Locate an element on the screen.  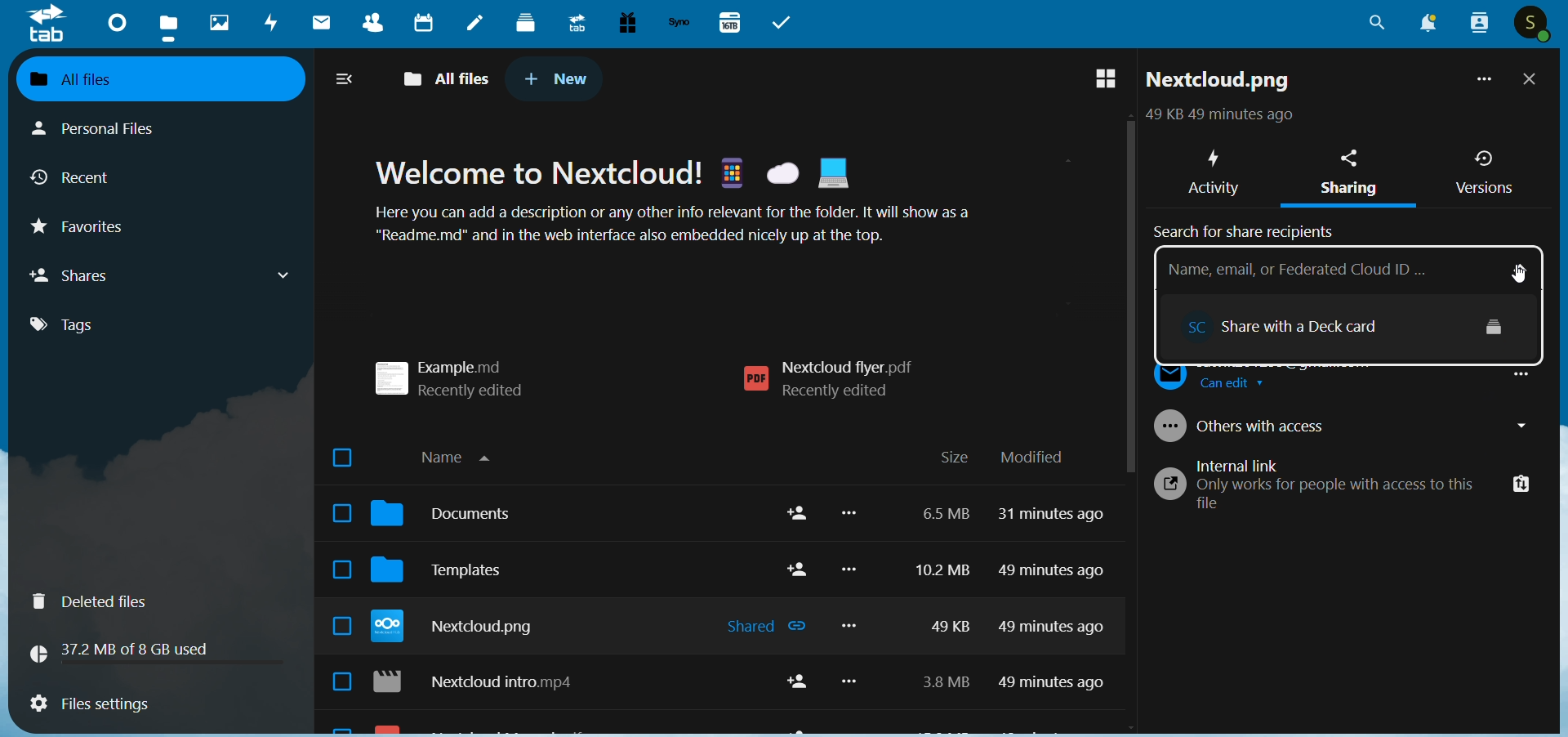
document is located at coordinates (452, 518).